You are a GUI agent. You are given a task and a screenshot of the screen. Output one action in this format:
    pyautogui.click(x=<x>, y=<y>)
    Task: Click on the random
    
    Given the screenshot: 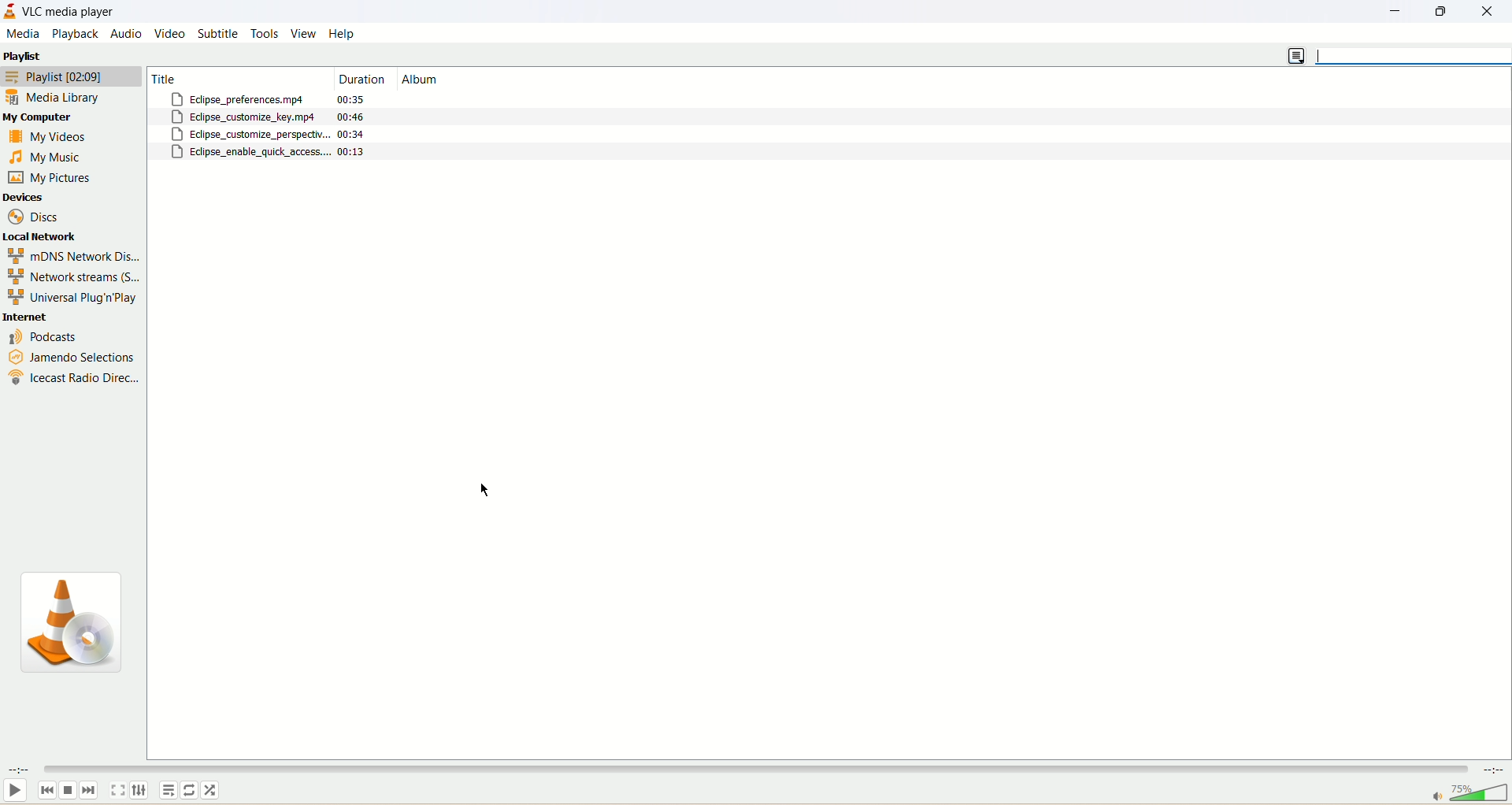 What is the action you would take?
    pyautogui.click(x=213, y=791)
    